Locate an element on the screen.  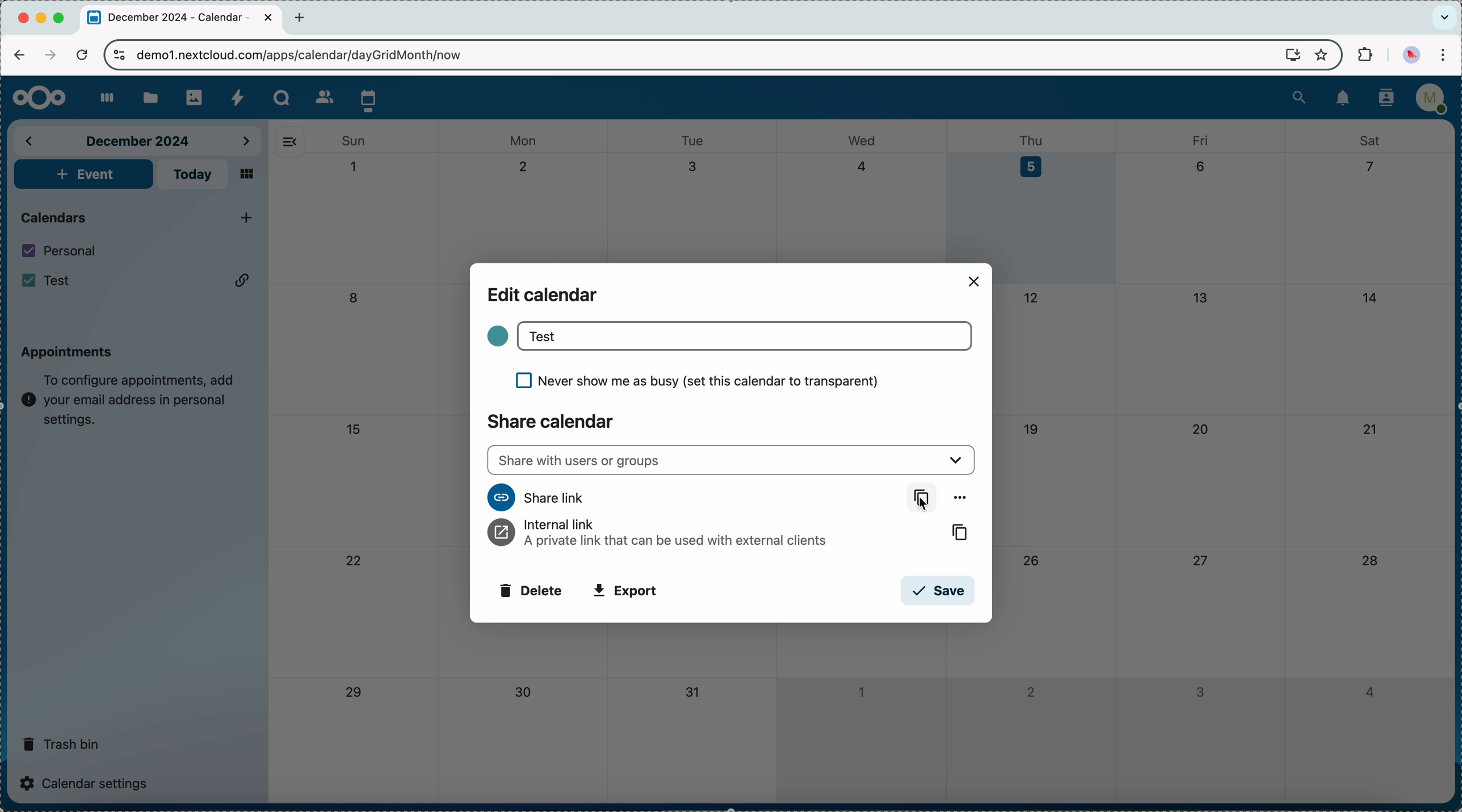
navigate foward is located at coordinates (48, 55).